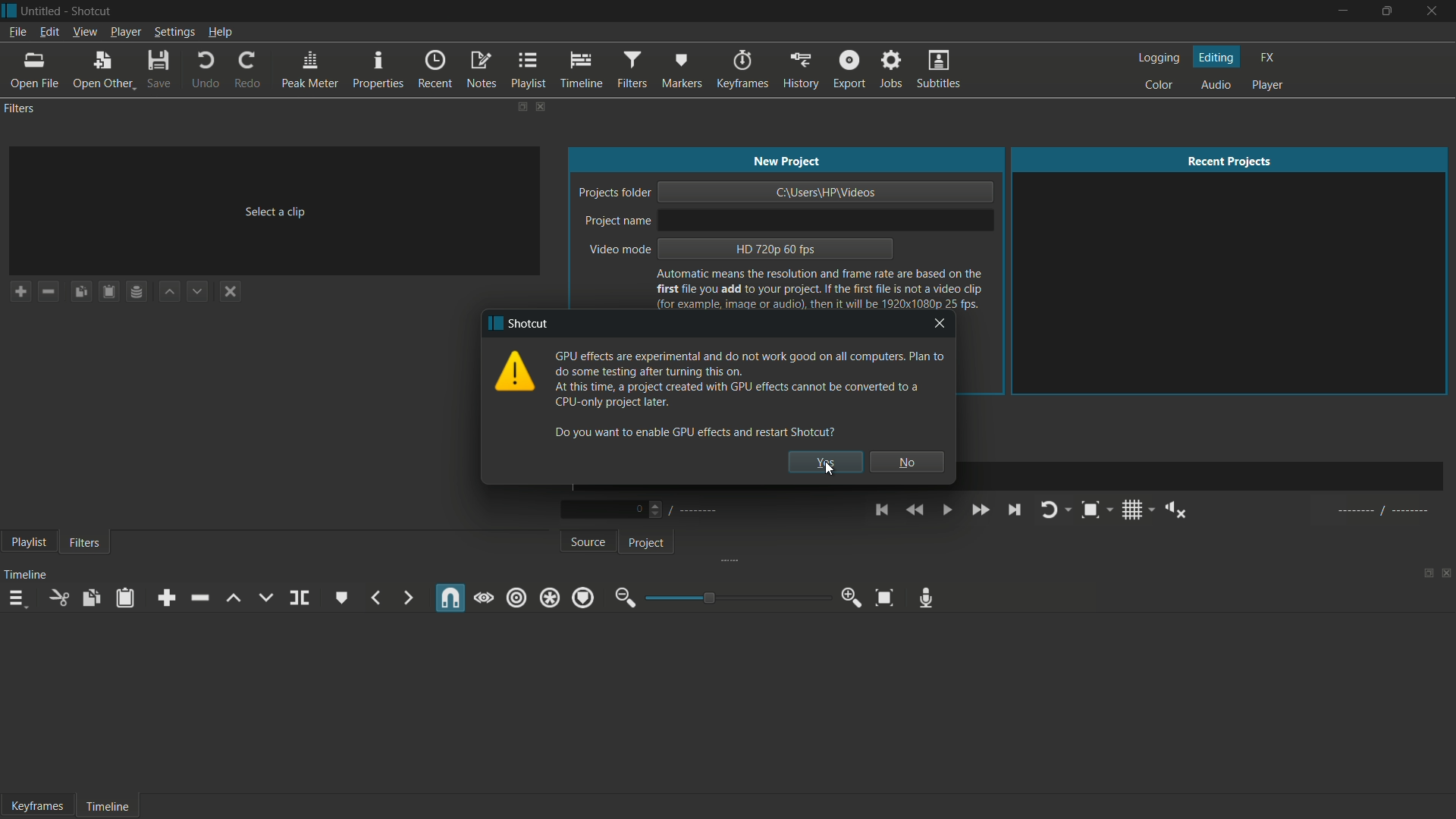 The image size is (1456, 819). What do you see at coordinates (645, 544) in the screenshot?
I see `project` at bounding box center [645, 544].